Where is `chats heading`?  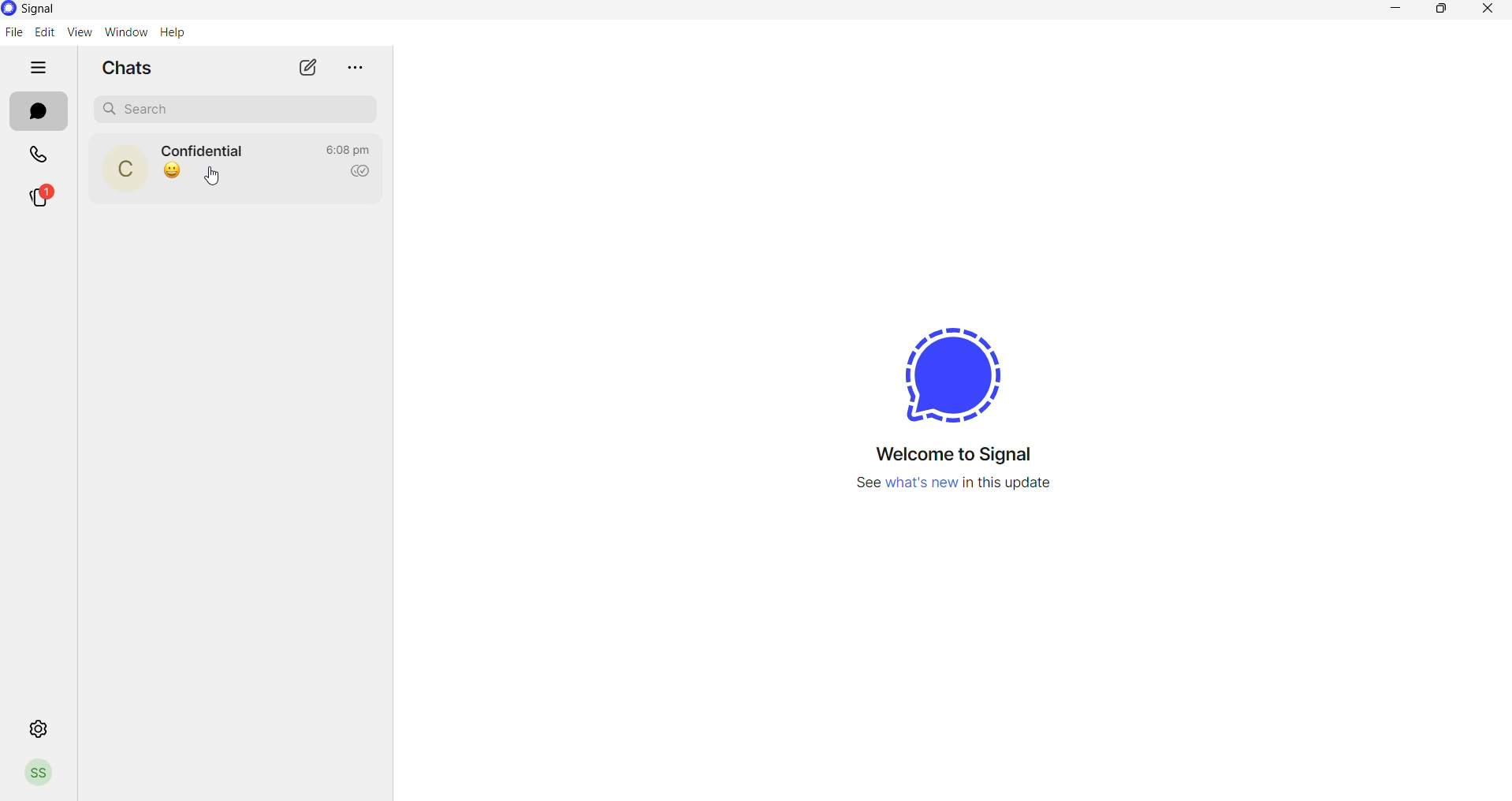 chats heading is located at coordinates (132, 71).